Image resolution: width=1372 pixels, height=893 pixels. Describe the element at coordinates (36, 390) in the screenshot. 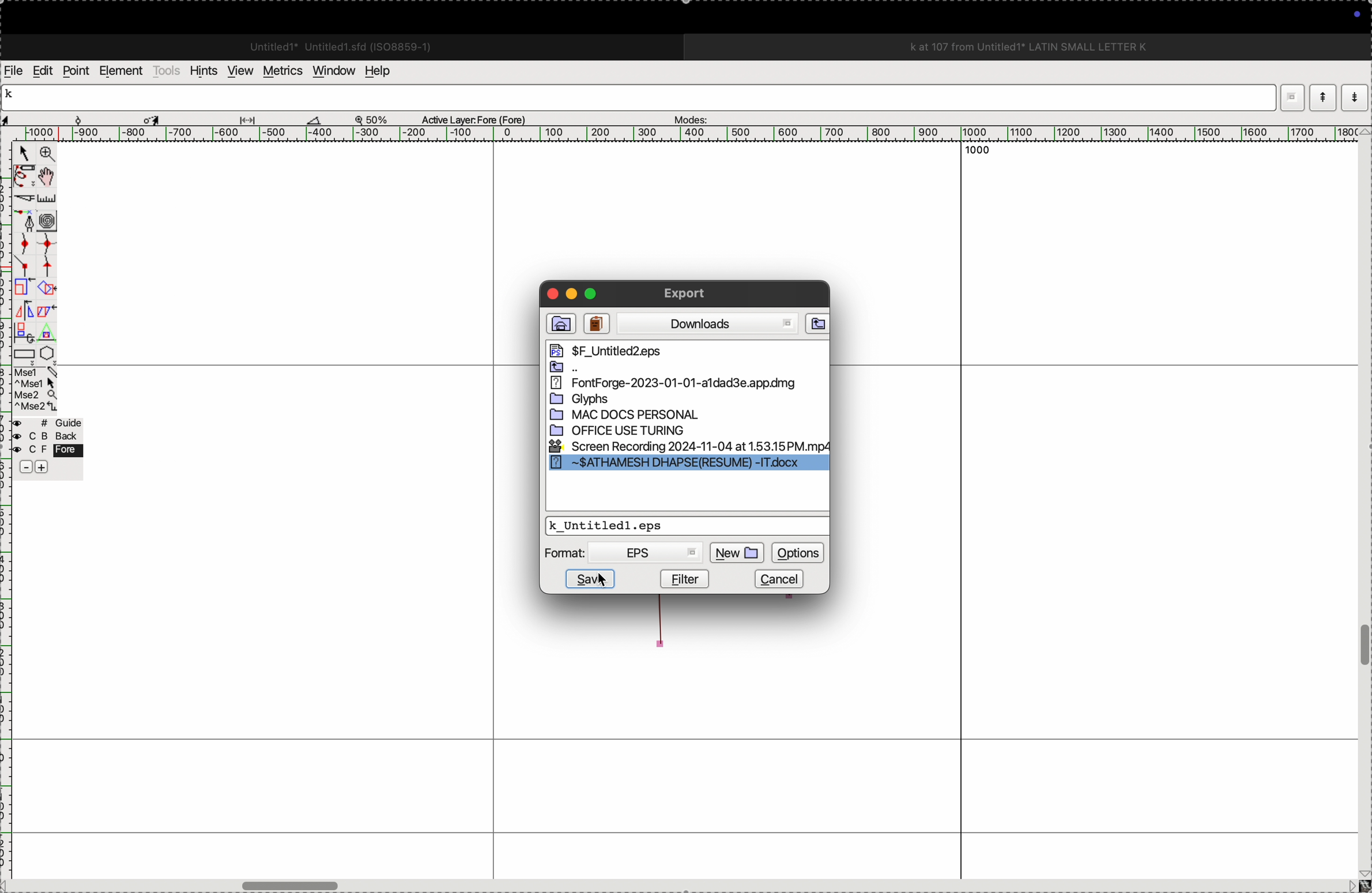

I see `mse` at that location.